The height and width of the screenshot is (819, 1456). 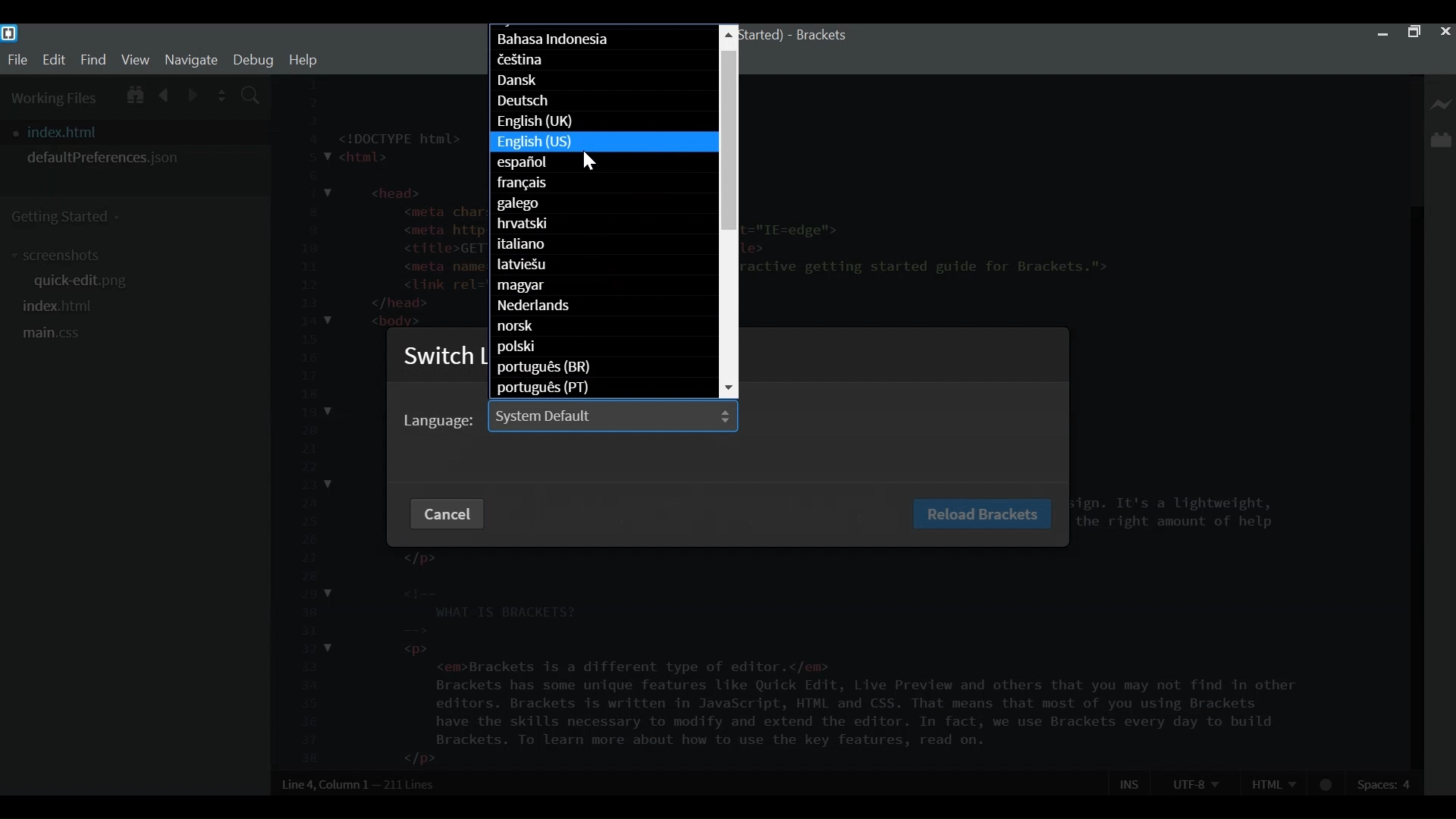 What do you see at coordinates (604, 369) in the screenshot?
I see `português (BR)` at bounding box center [604, 369].